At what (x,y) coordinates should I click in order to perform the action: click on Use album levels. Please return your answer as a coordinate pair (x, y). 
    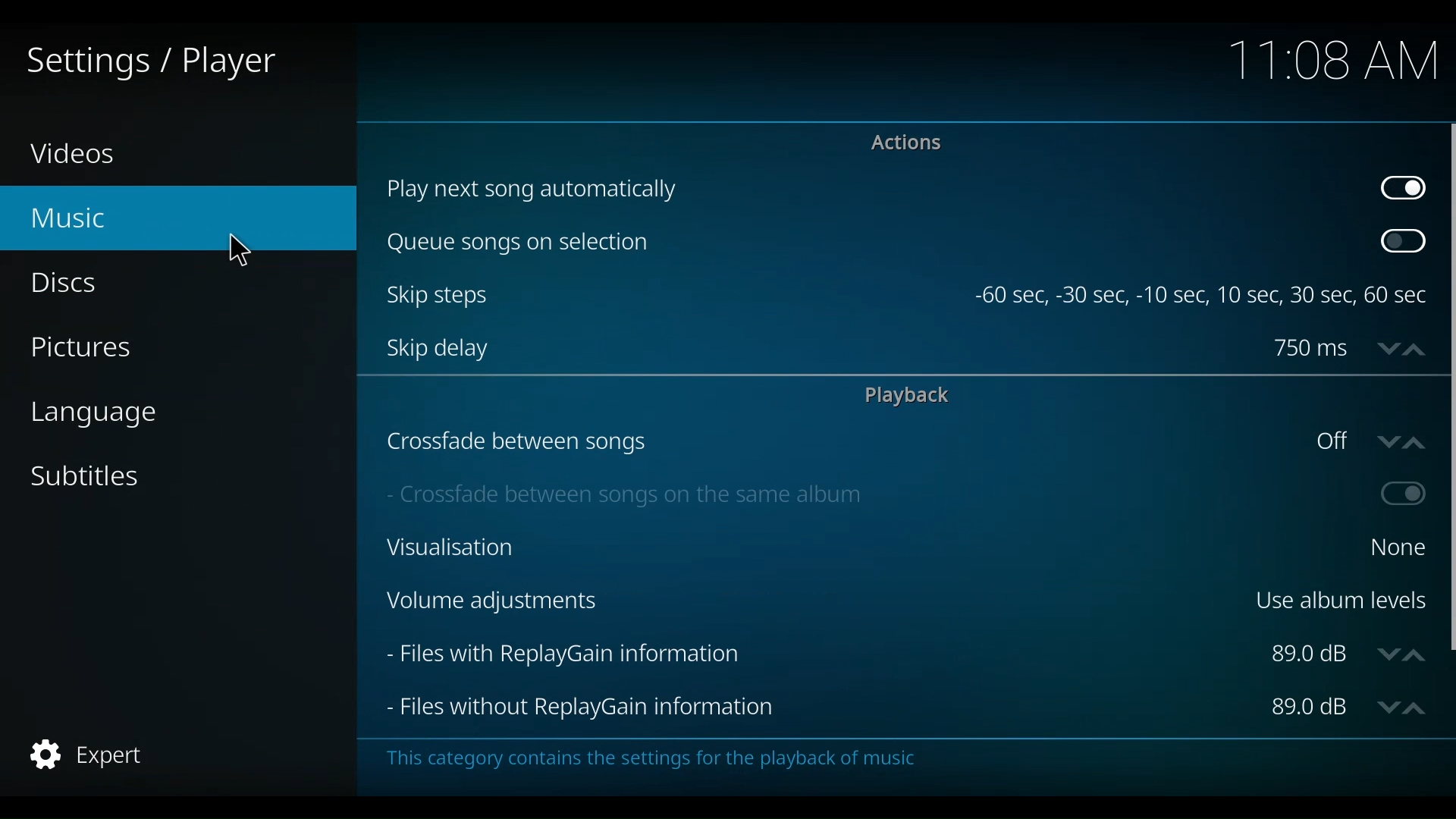
    Looking at the image, I should click on (1339, 598).